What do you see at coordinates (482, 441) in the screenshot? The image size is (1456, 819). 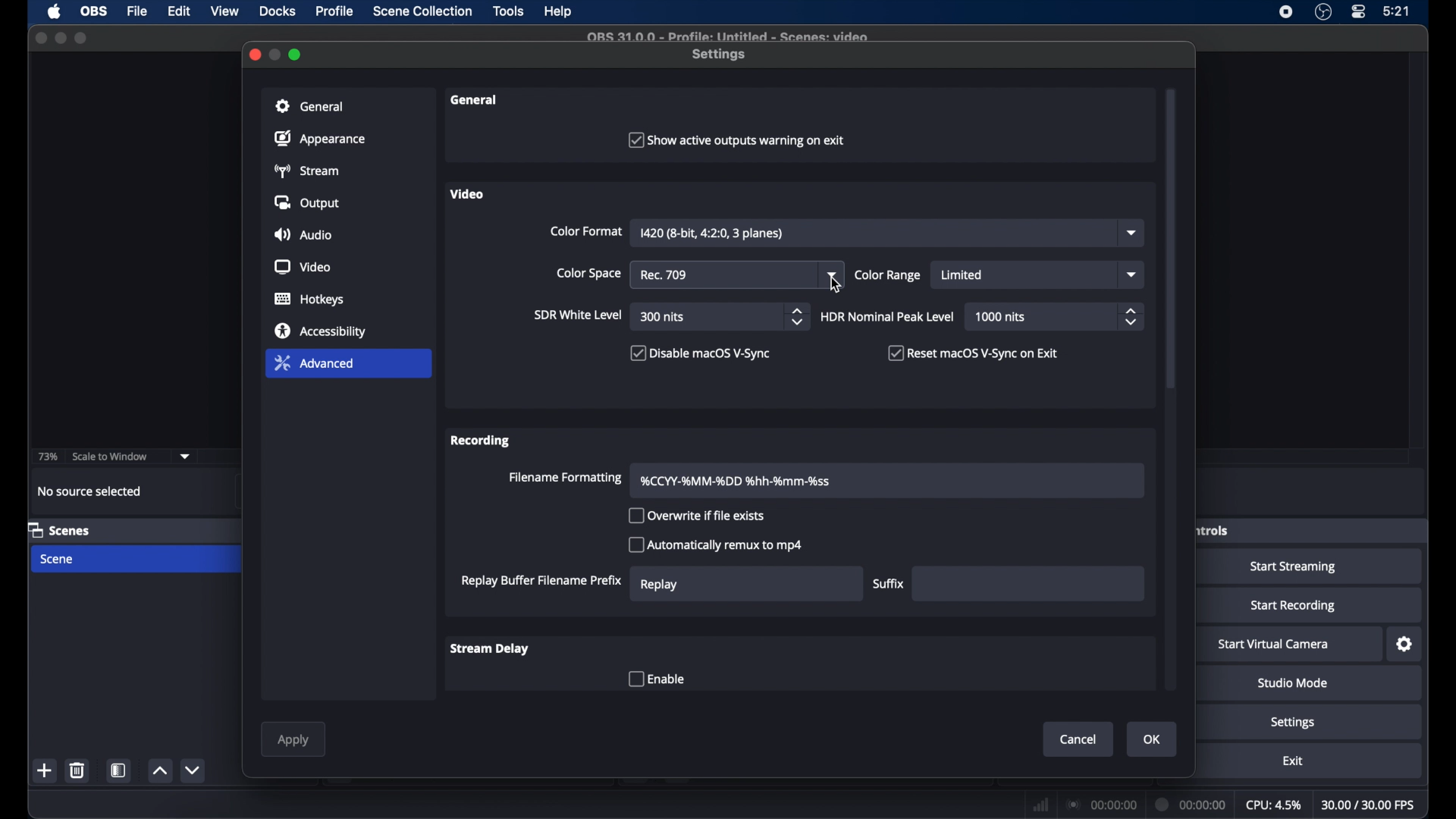 I see `recording` at bounding box center [482, 441].